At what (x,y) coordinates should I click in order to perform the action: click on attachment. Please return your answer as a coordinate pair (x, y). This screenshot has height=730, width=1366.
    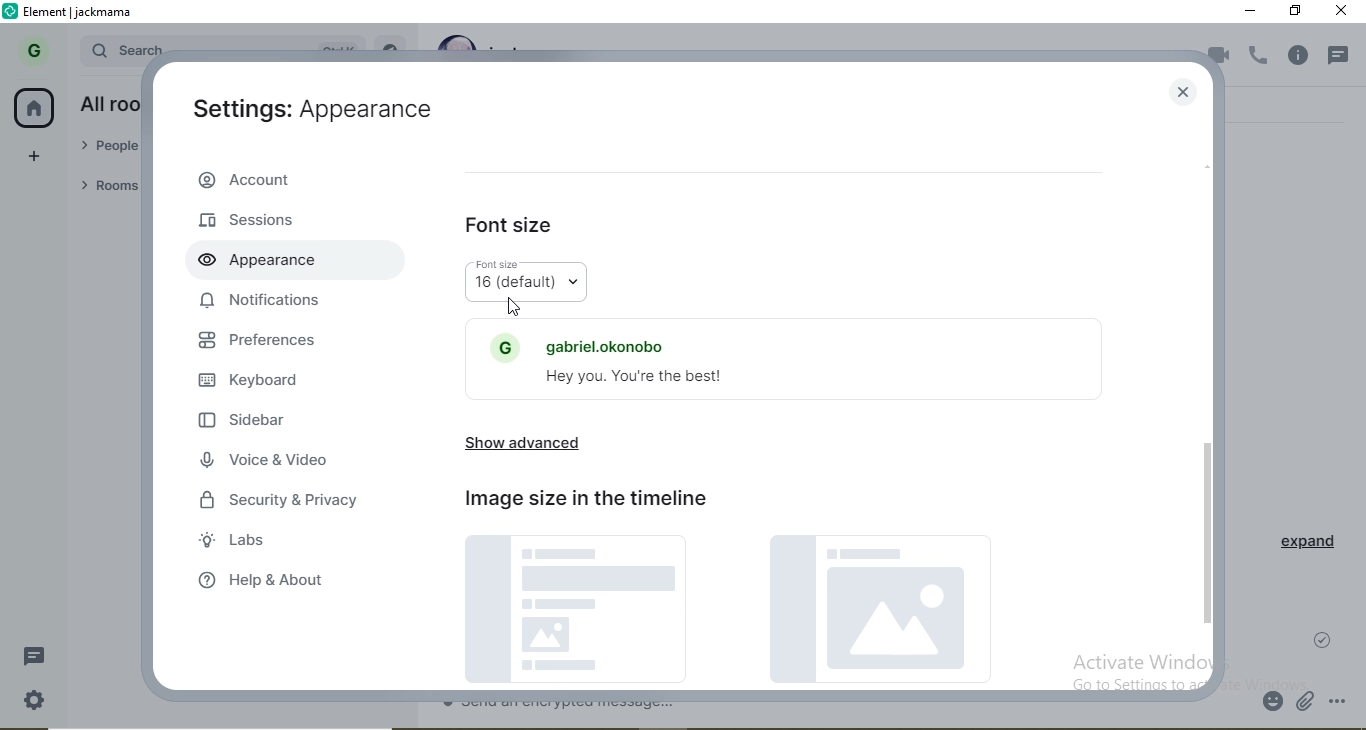
    Looking at the image, I should click on (1307, 704).